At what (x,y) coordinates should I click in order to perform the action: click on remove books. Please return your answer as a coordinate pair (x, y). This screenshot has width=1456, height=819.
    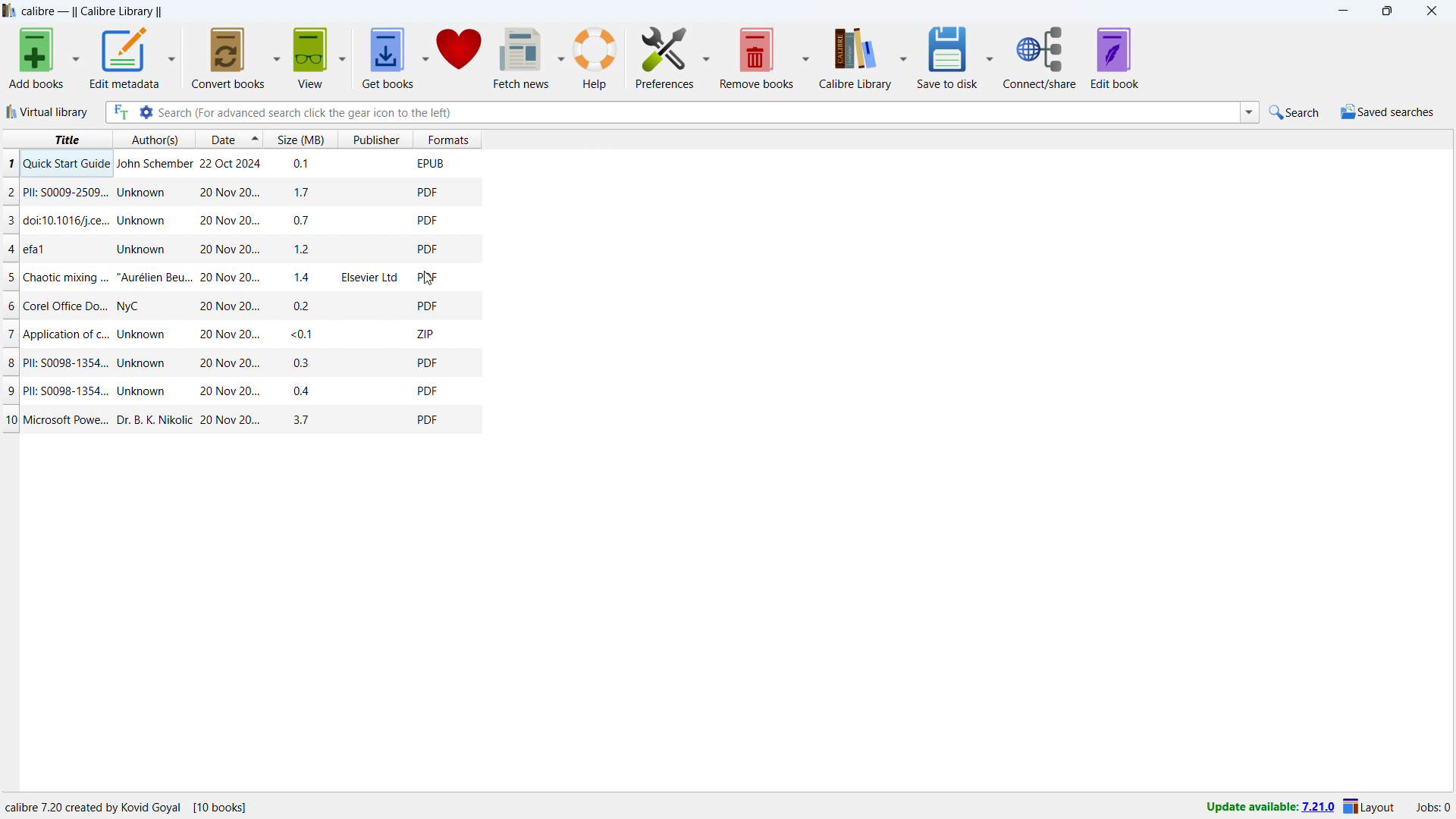
    Looking at the image, I should click on (757, 57).